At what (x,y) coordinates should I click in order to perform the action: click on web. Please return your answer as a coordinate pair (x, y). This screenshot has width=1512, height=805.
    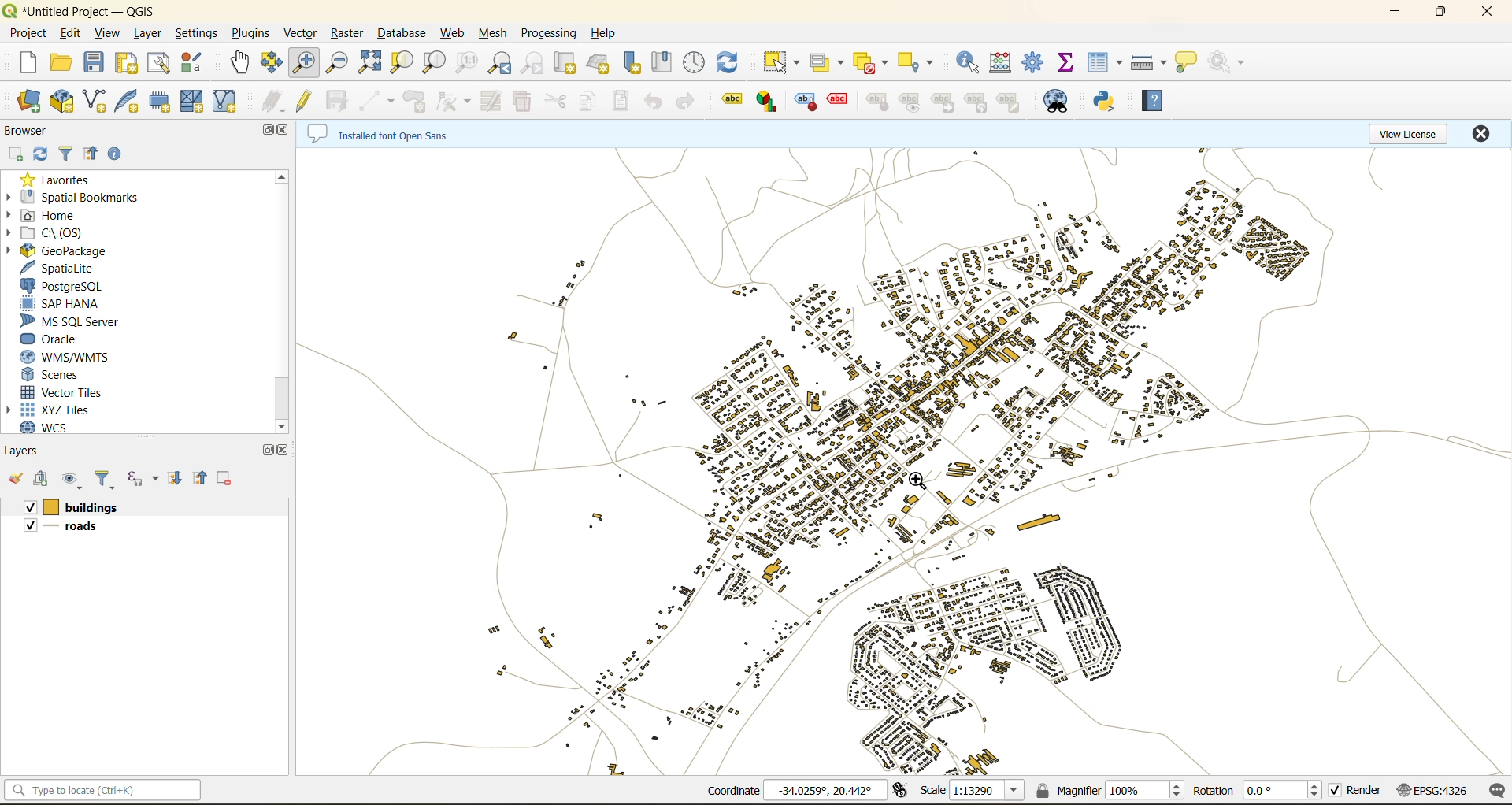
    Looking at the image, I should click on (454, 32).